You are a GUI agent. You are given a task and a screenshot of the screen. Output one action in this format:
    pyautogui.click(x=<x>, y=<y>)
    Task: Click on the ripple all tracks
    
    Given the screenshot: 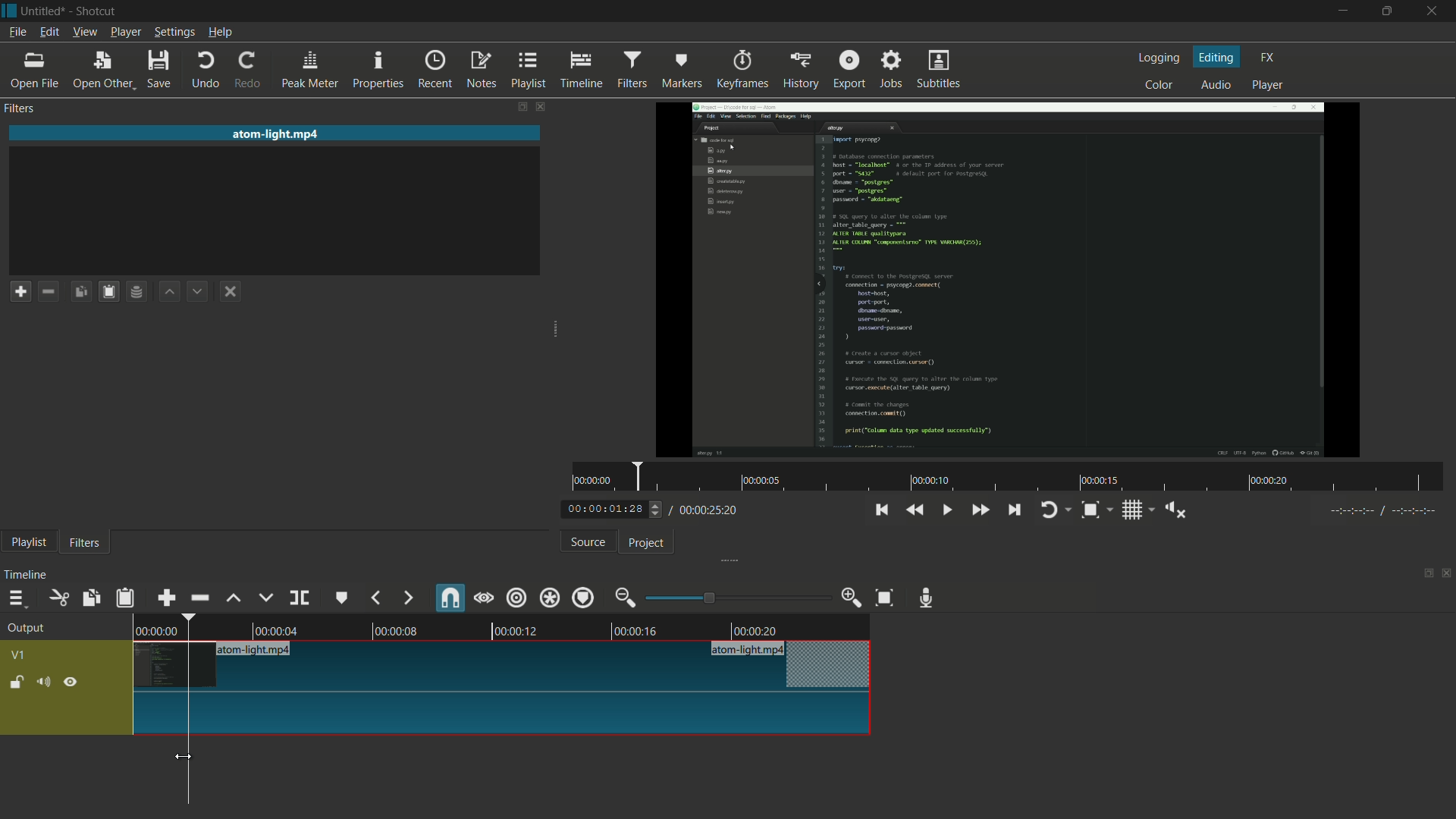 What is the action you would take?
    pyautogui.click(x=549, y=597)
    